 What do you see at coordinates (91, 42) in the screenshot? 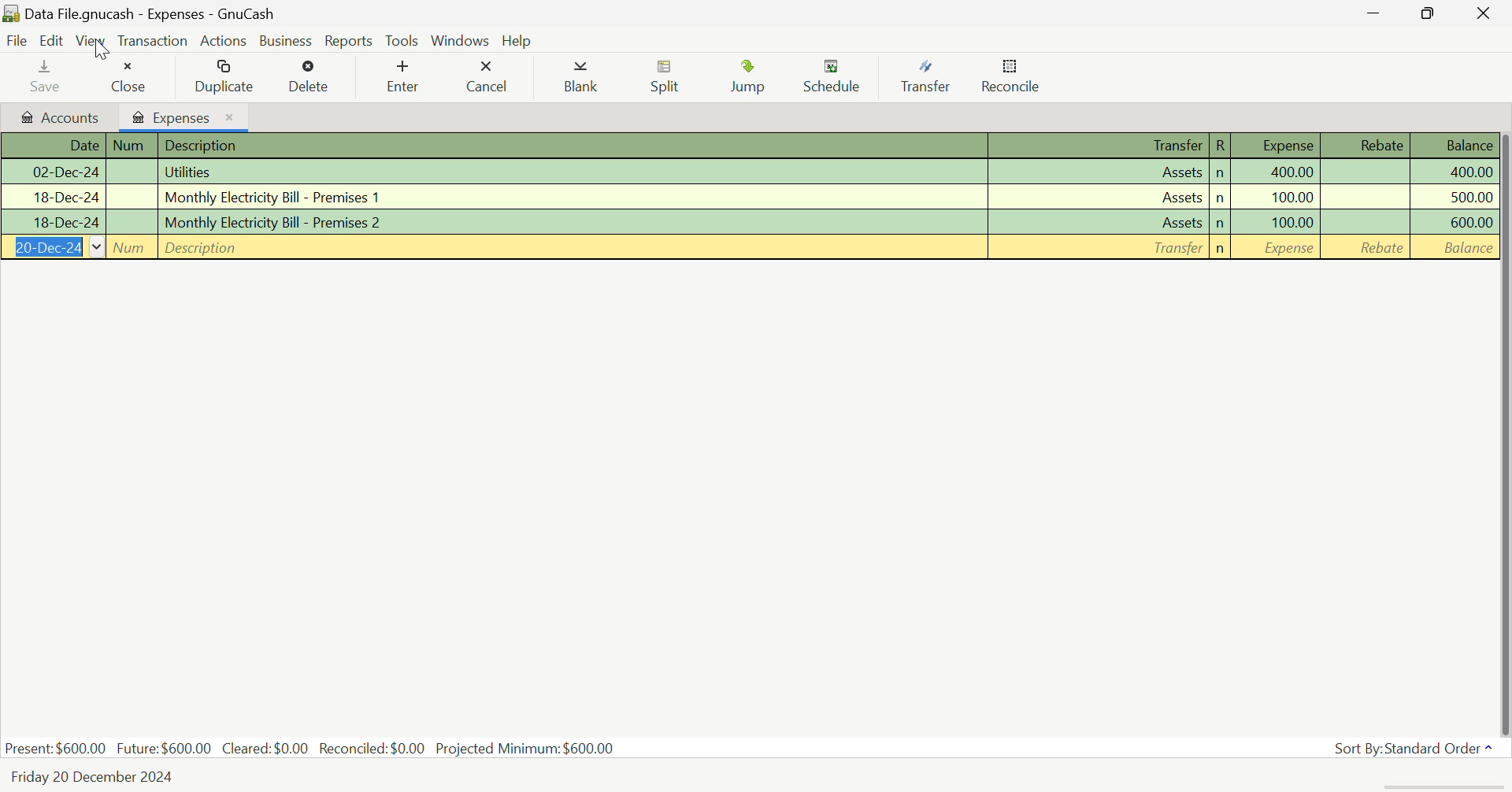
I see `View` at bounding box center [91, 42].